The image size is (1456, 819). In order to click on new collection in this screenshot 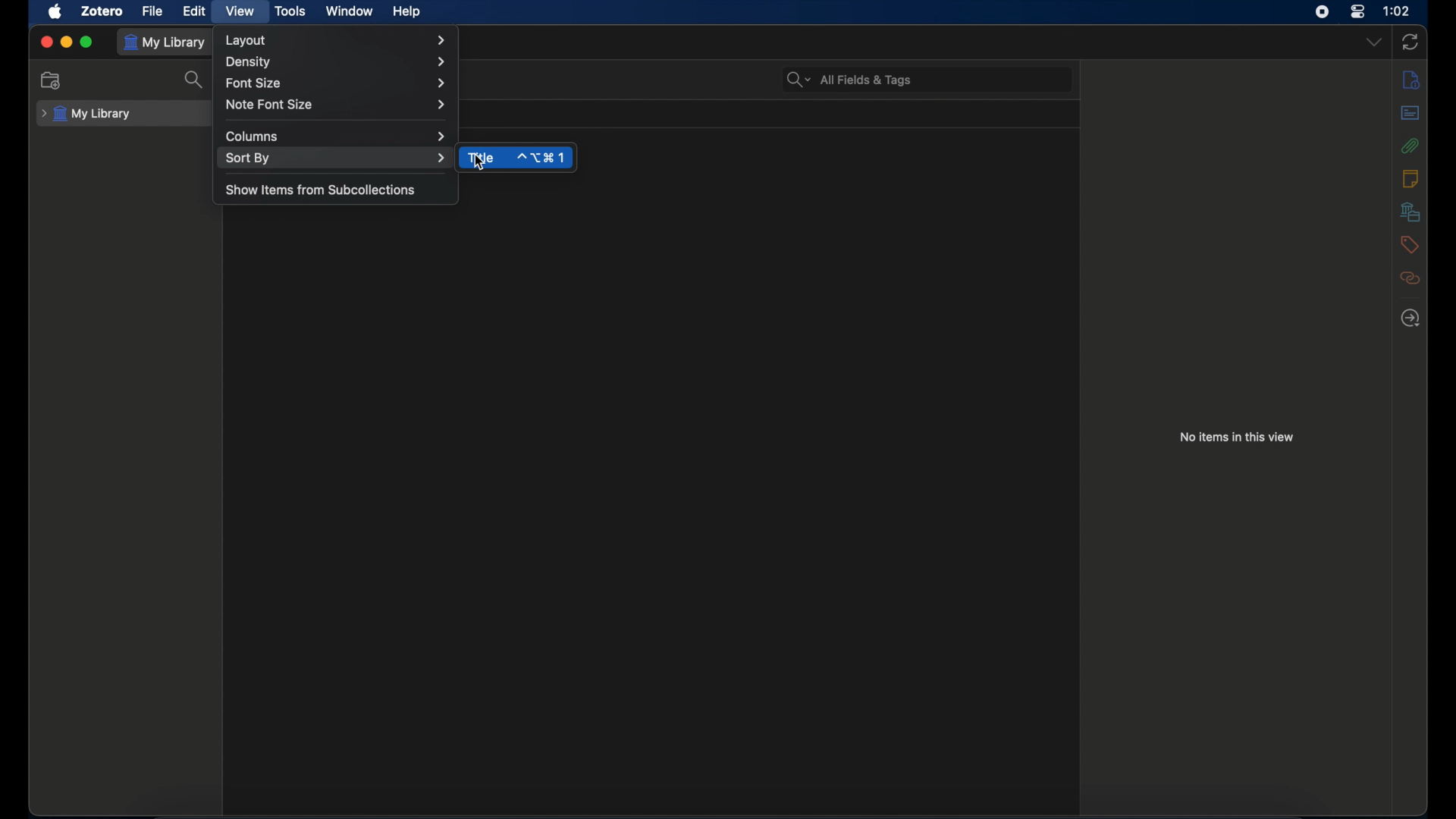, I will do `click(49, 80)`.